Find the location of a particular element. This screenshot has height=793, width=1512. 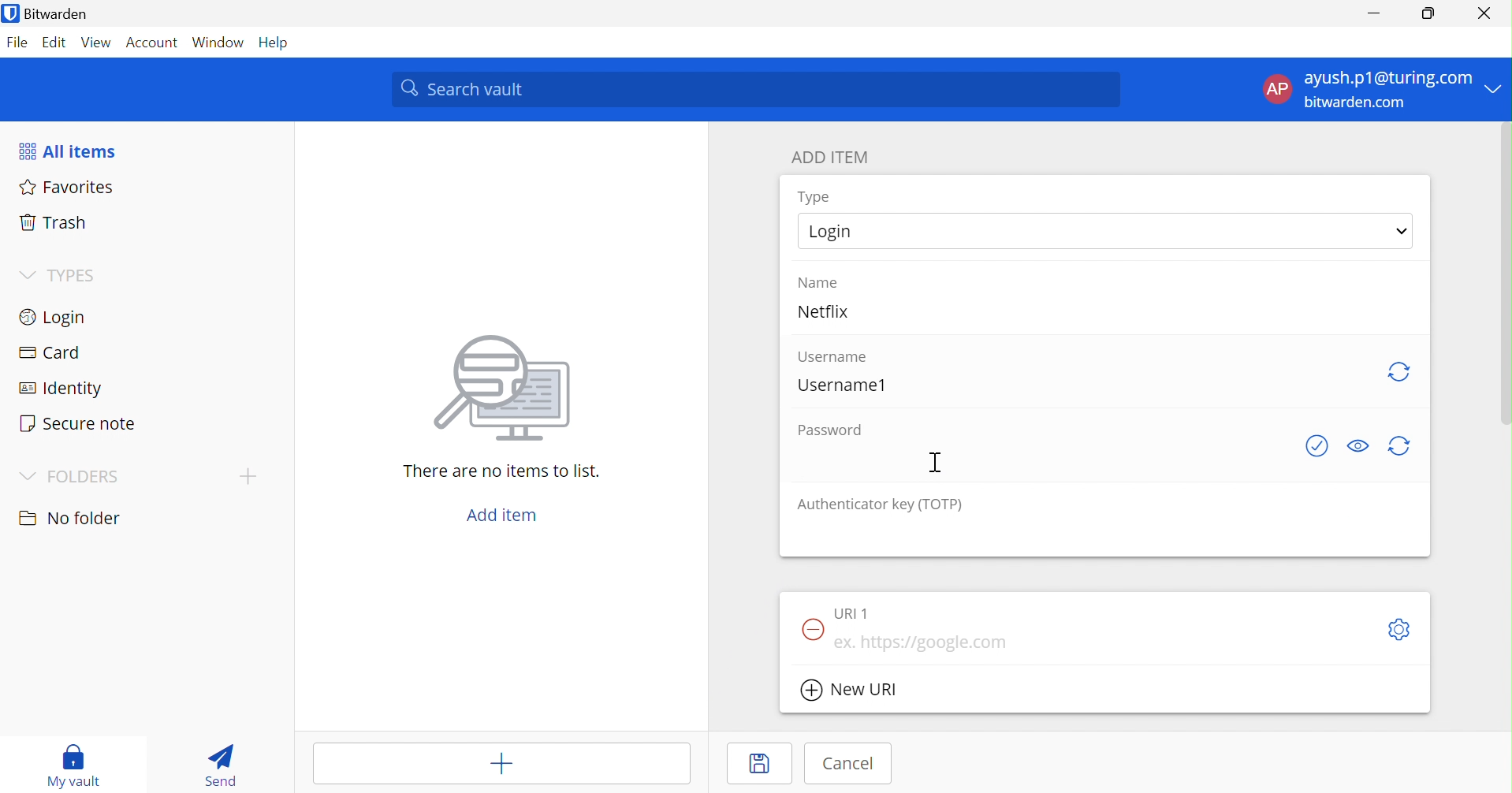

New URl is located at coordinates (851, 689).